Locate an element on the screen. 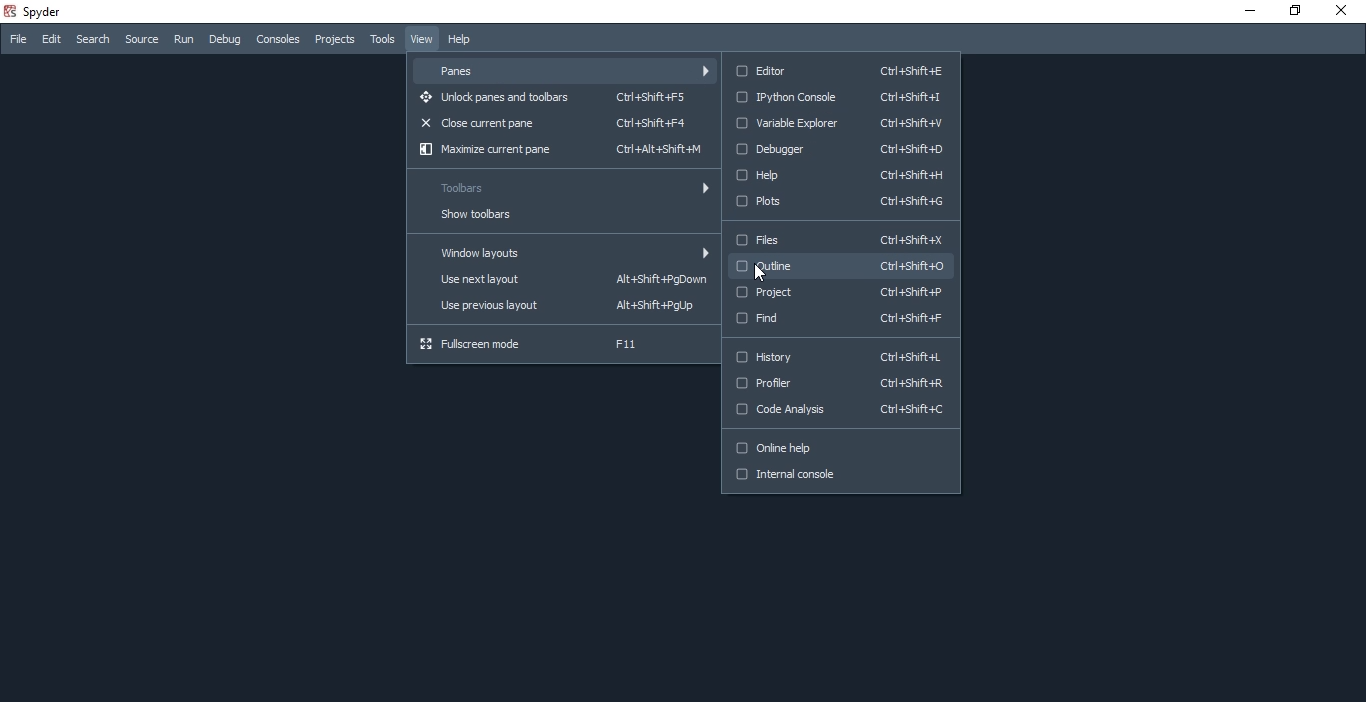 This screenshot has width=1366, height=702. Code Analysis is located at coordinates (840, 415).